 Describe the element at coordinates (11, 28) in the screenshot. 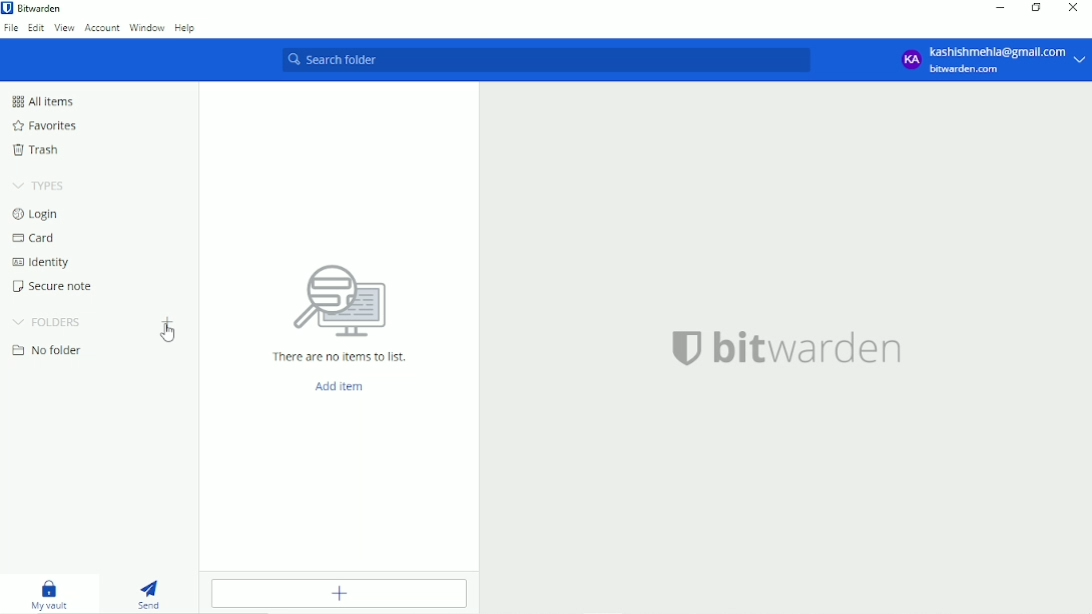

I see `File` at that location.